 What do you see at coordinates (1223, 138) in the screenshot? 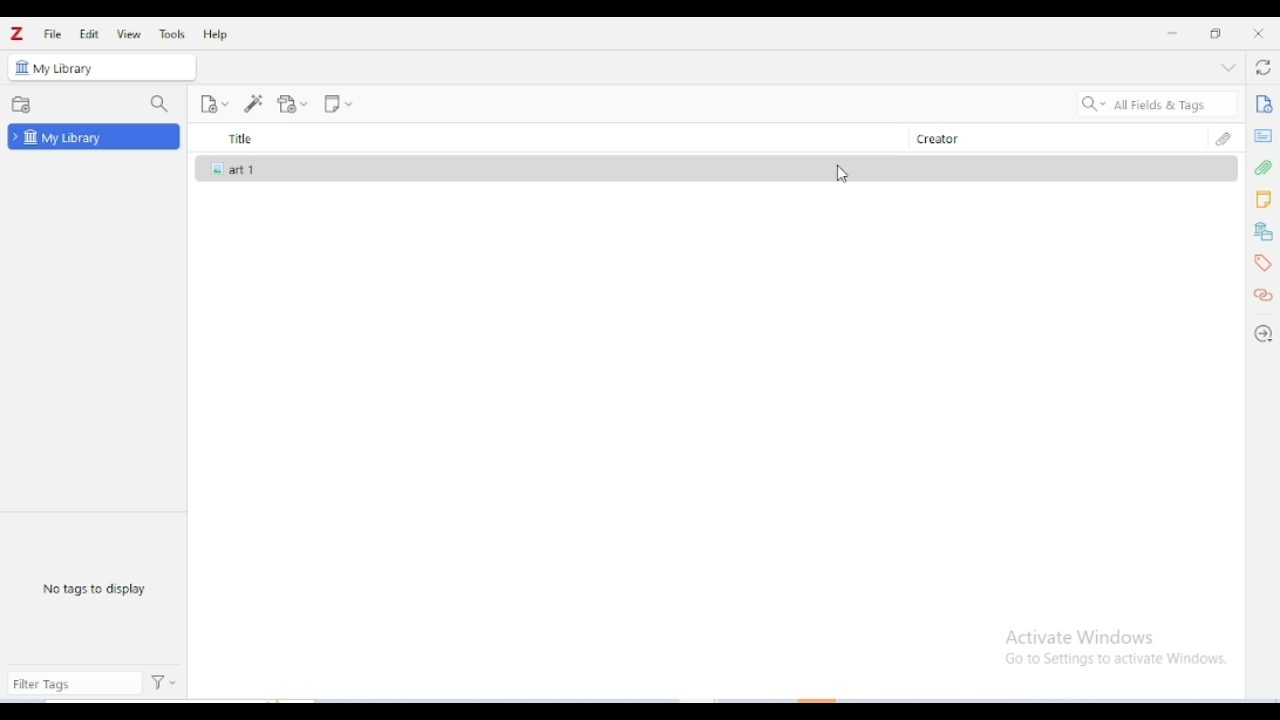
I see `attachments` at bounding box center [1223, 138].